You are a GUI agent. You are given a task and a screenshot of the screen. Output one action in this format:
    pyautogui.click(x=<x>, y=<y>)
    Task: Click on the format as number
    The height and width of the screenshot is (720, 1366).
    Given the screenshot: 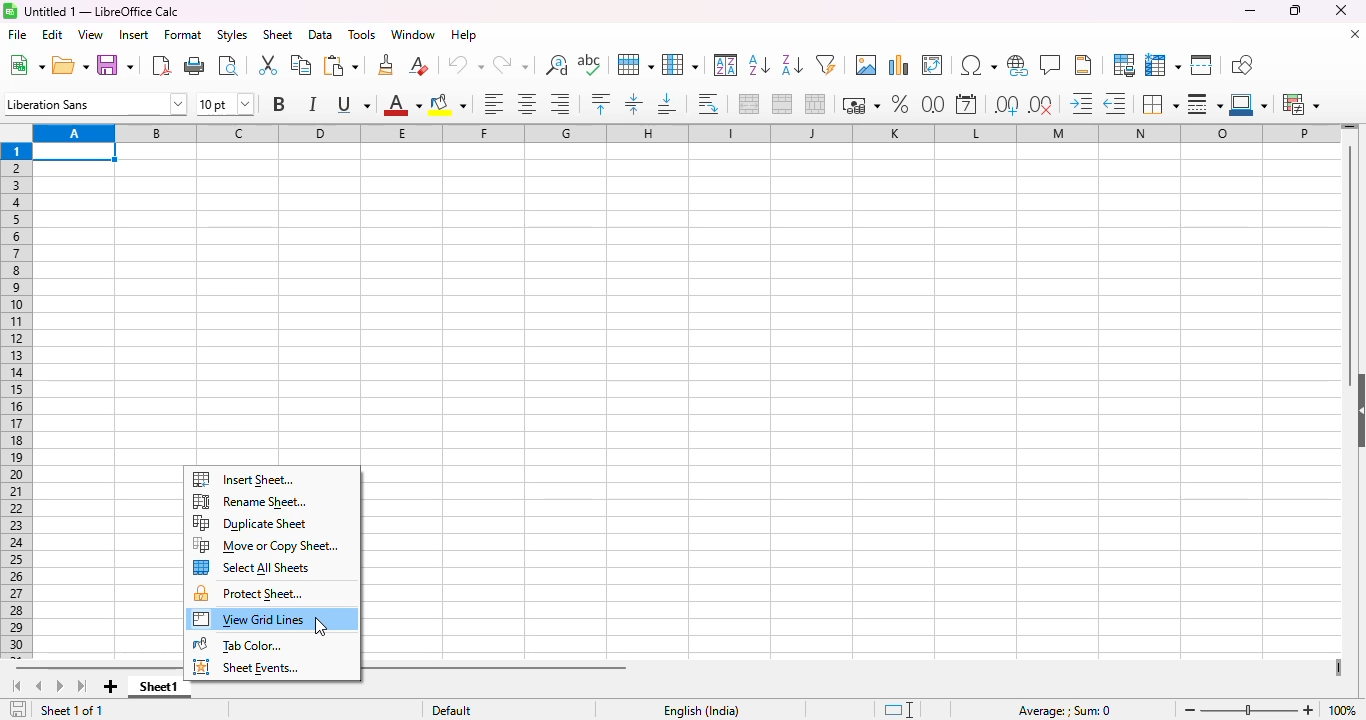 What is the action you would take?
    pyautogui.click(x=934, y=103)
    